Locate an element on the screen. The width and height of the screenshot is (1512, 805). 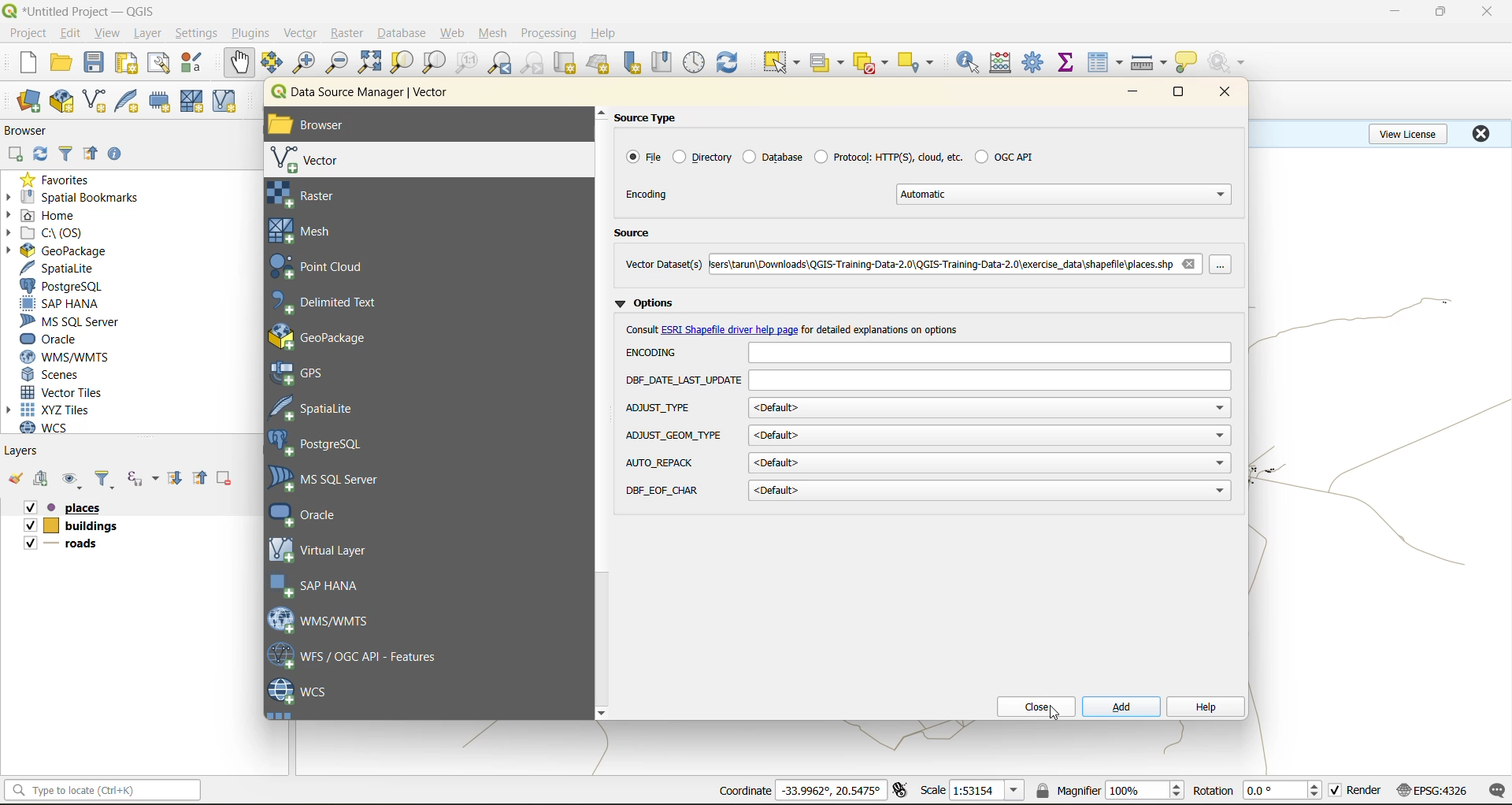
adjust type is located at coordinates (661, 409).